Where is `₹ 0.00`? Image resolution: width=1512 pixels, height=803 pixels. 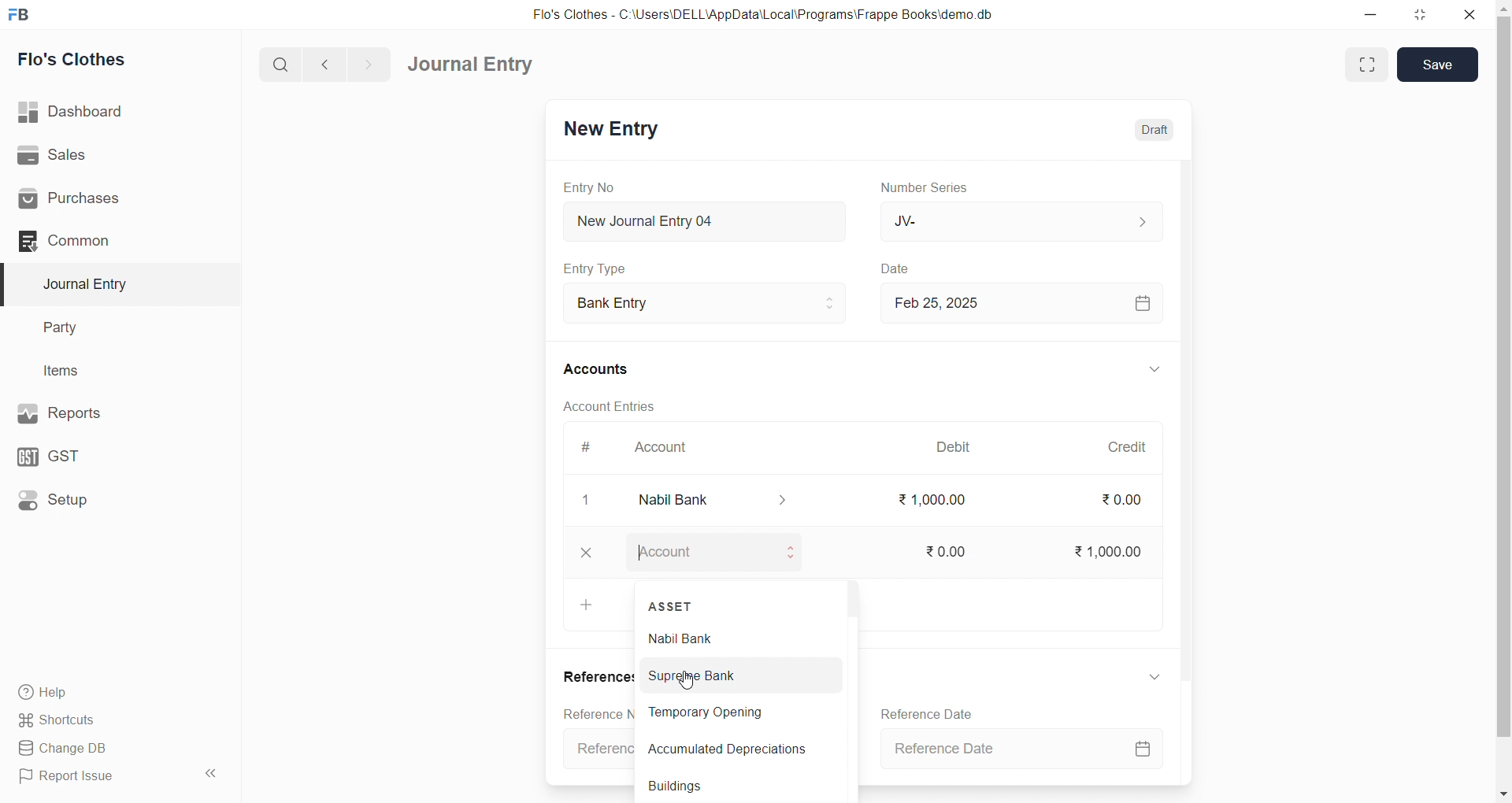
₹ 0.00 is located at coordinates (1128, 503).